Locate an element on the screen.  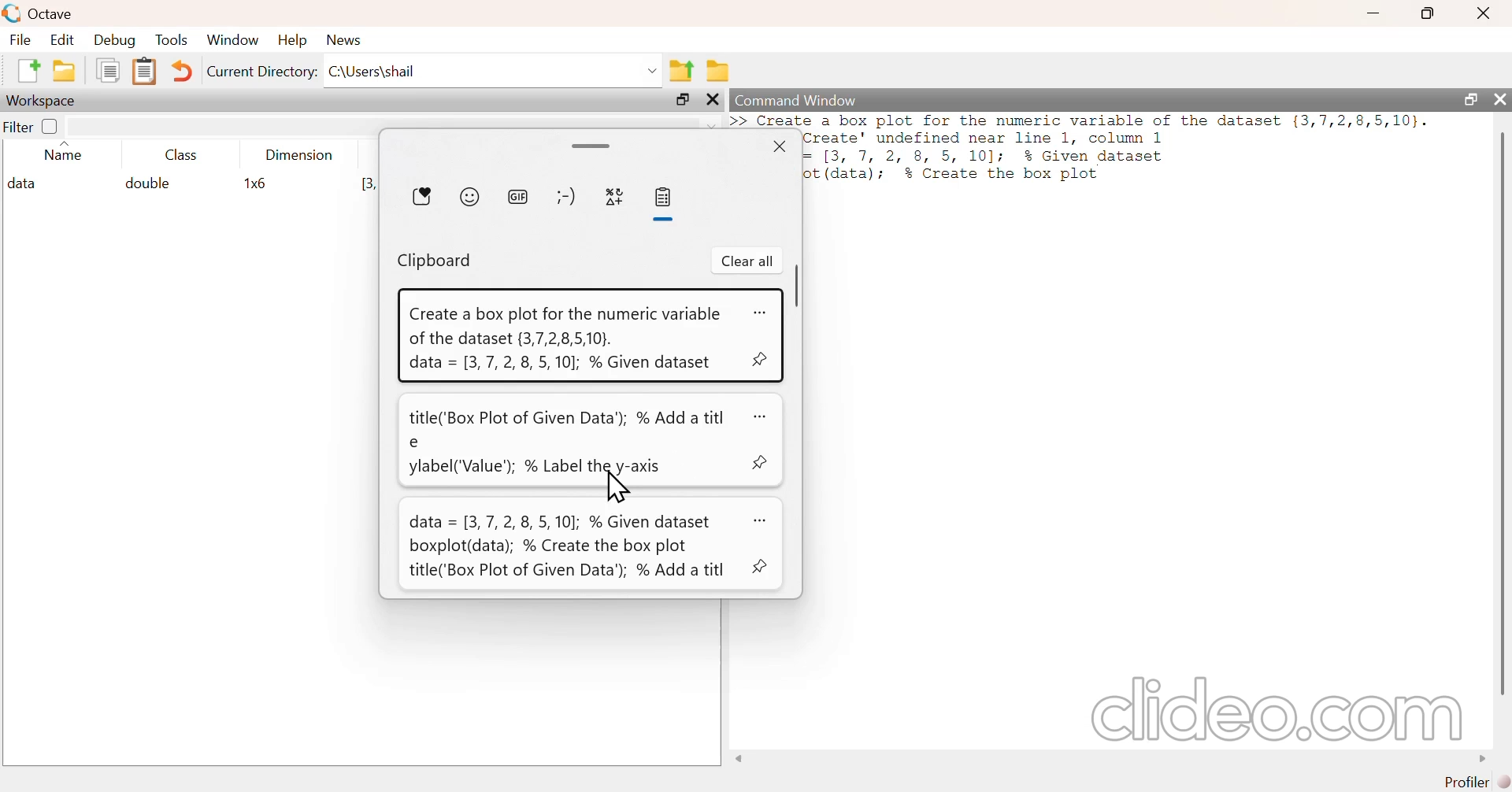
debug is located at coordinates (115, 39).